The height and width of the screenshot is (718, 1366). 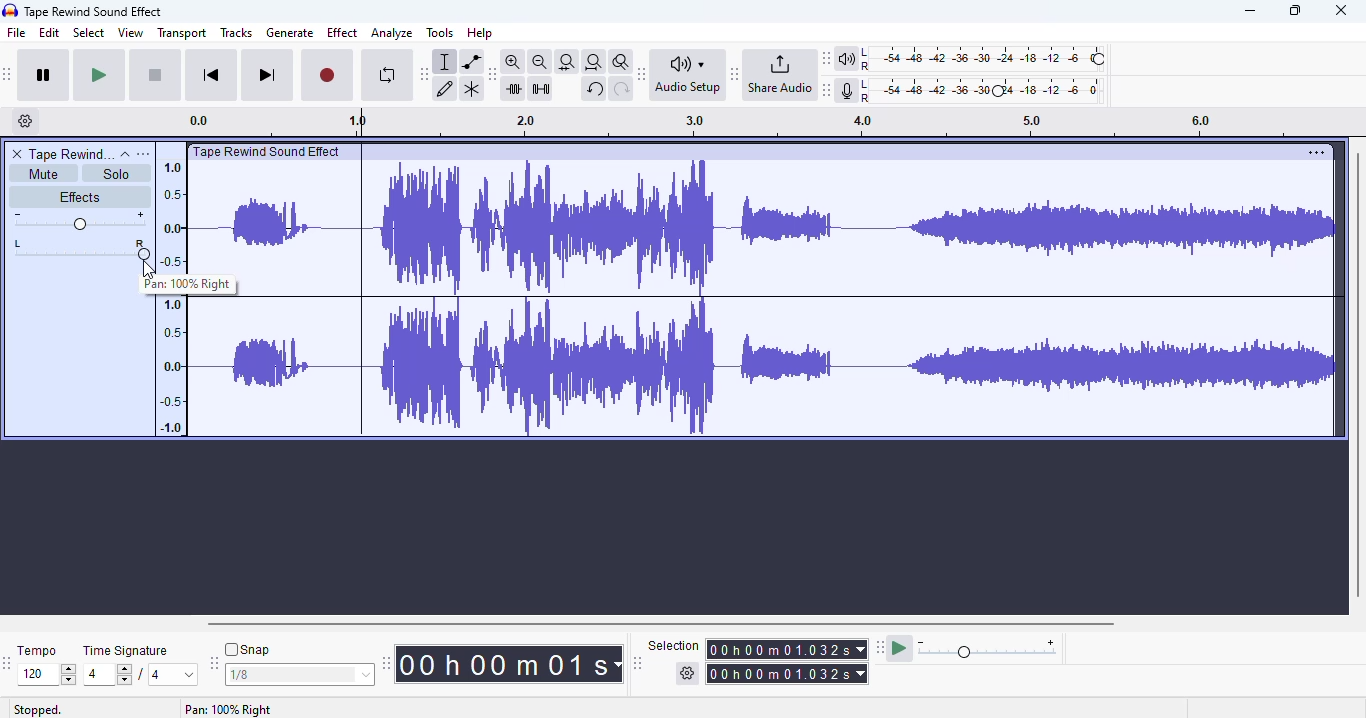 I want to click on volume, so click(x=79, y=221).